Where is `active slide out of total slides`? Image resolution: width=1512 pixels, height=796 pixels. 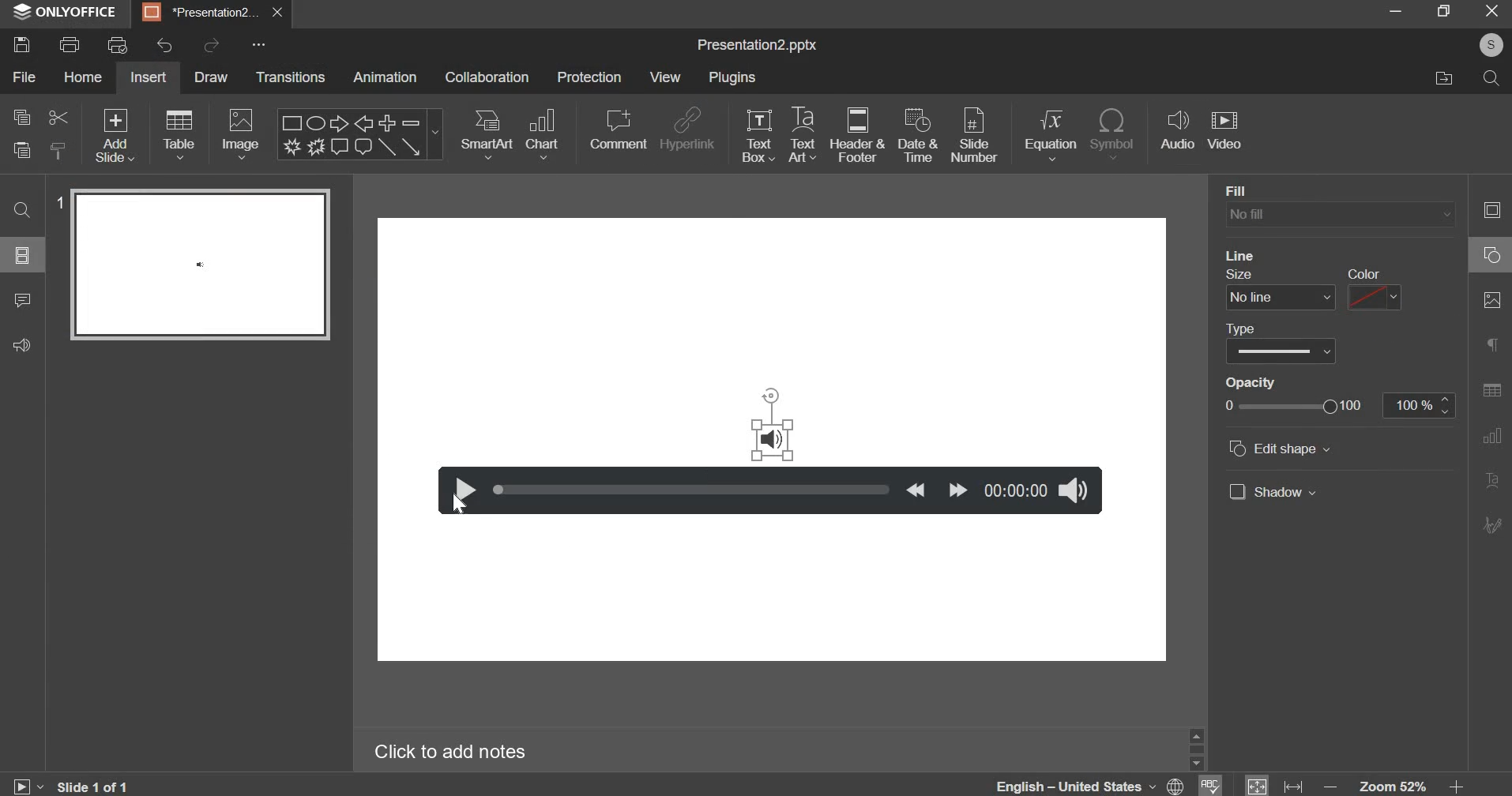
active slide out of total slides is located at coordinates (94, 785).